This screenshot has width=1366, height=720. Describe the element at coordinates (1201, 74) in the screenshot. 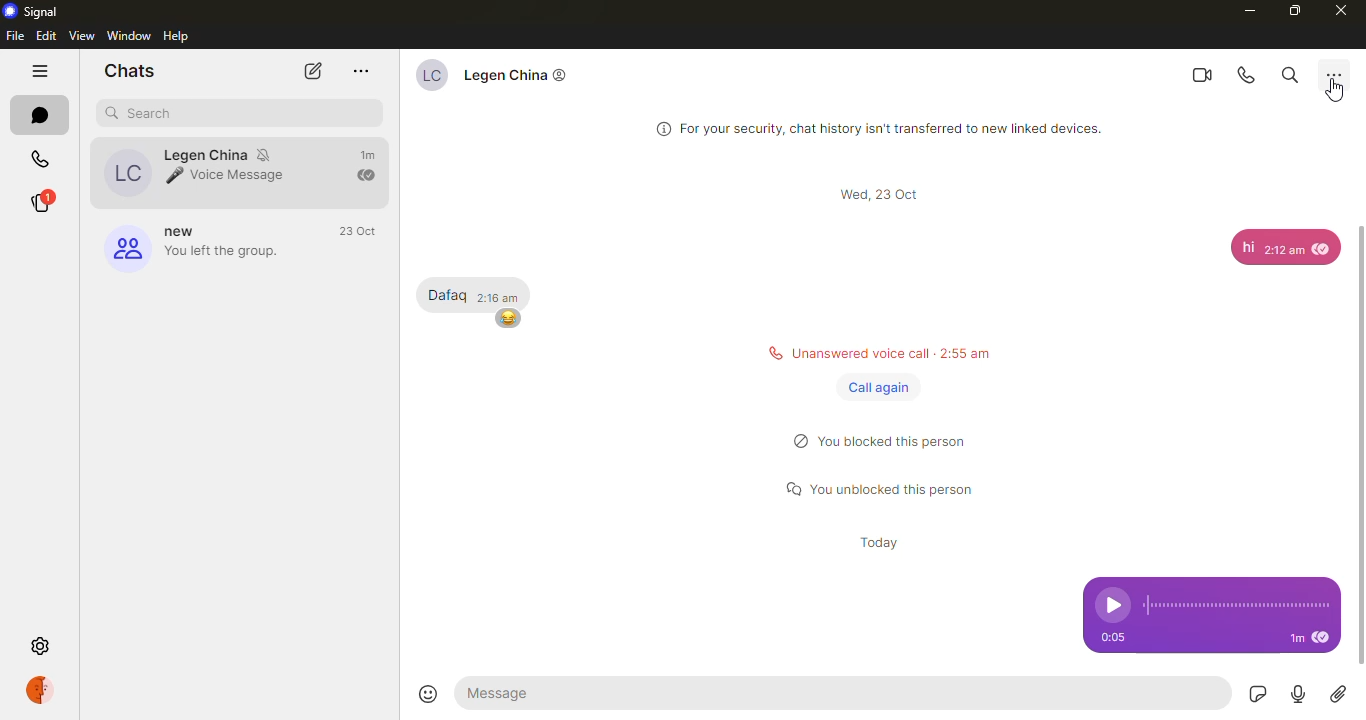

I see `video call` at that location.